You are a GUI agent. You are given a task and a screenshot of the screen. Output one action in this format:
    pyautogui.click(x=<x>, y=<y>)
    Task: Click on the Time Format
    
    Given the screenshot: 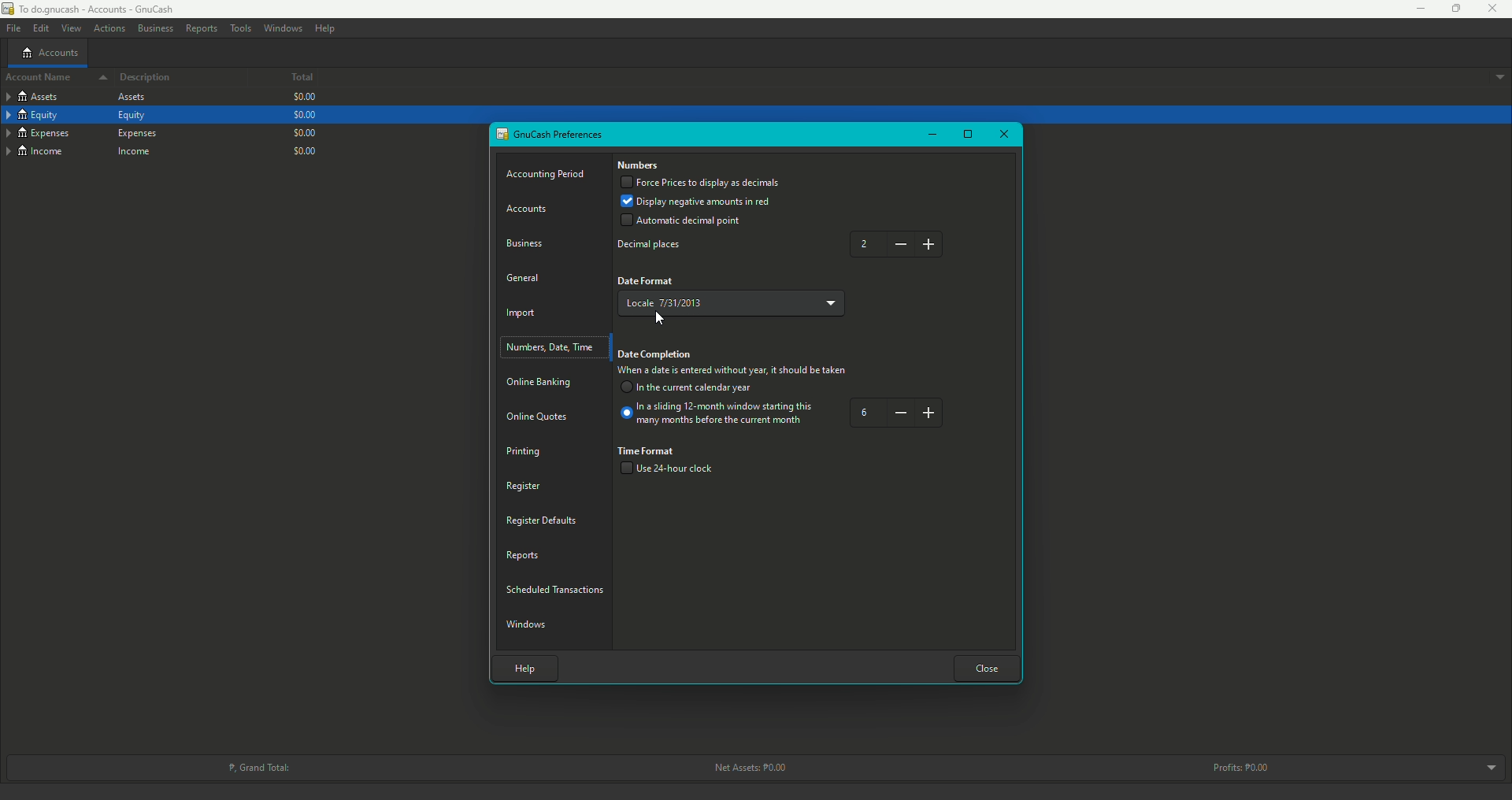 What is the action you would take?
    pyautogui.click(x=648, y=450)
    